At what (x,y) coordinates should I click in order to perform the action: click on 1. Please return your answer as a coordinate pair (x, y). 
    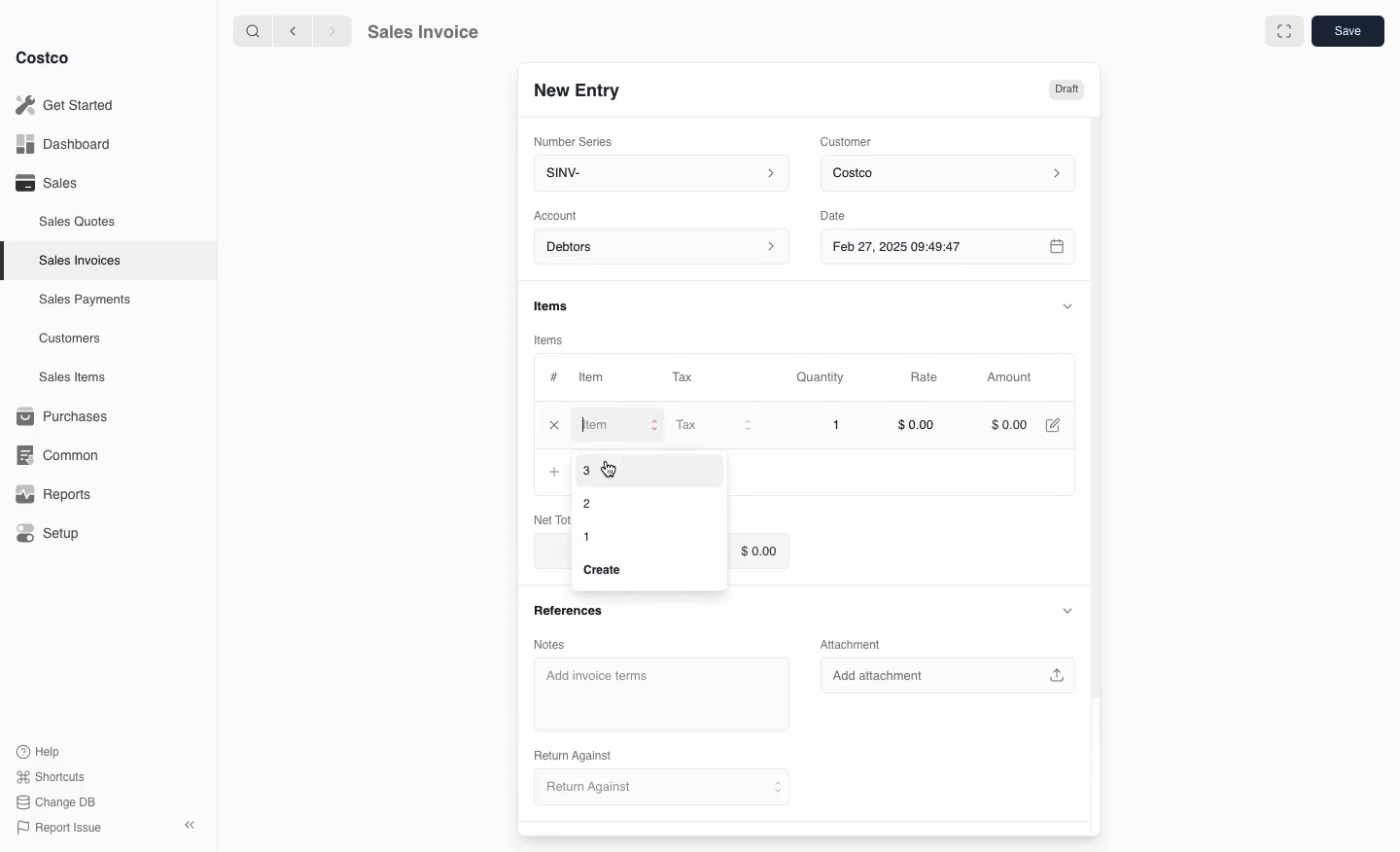
    Looking at the image, I should click on (838, 426).